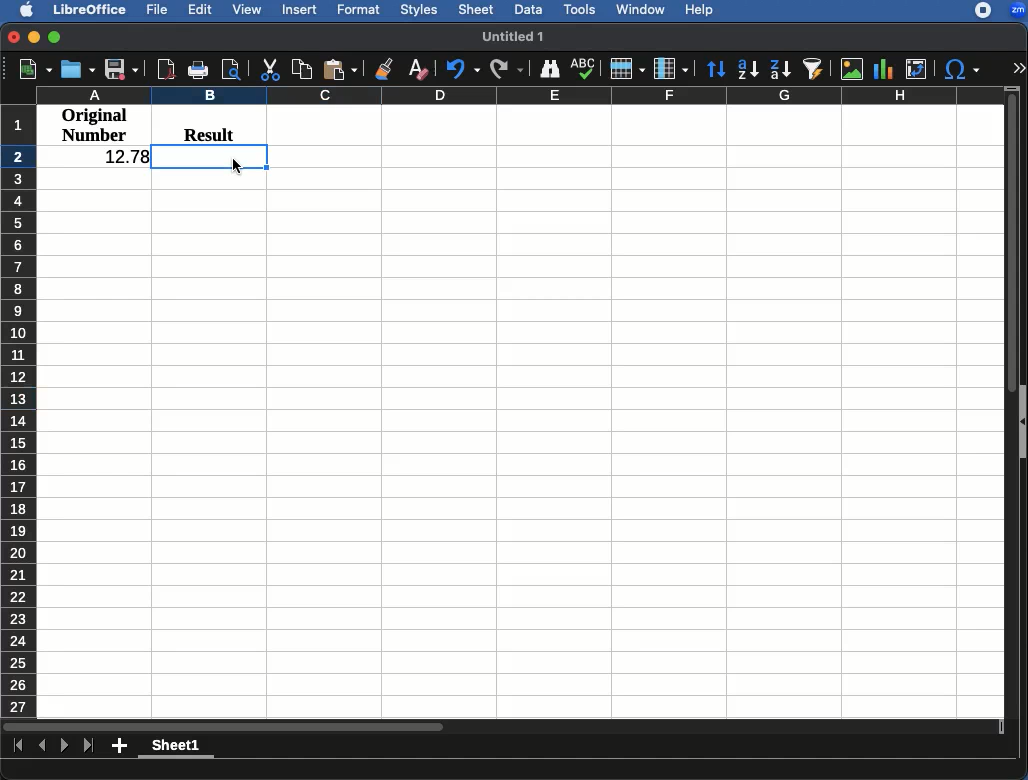  What do you see at coordinates (671, 69) in the screenshot?
I see `Column` at bounding box center [671, 69].